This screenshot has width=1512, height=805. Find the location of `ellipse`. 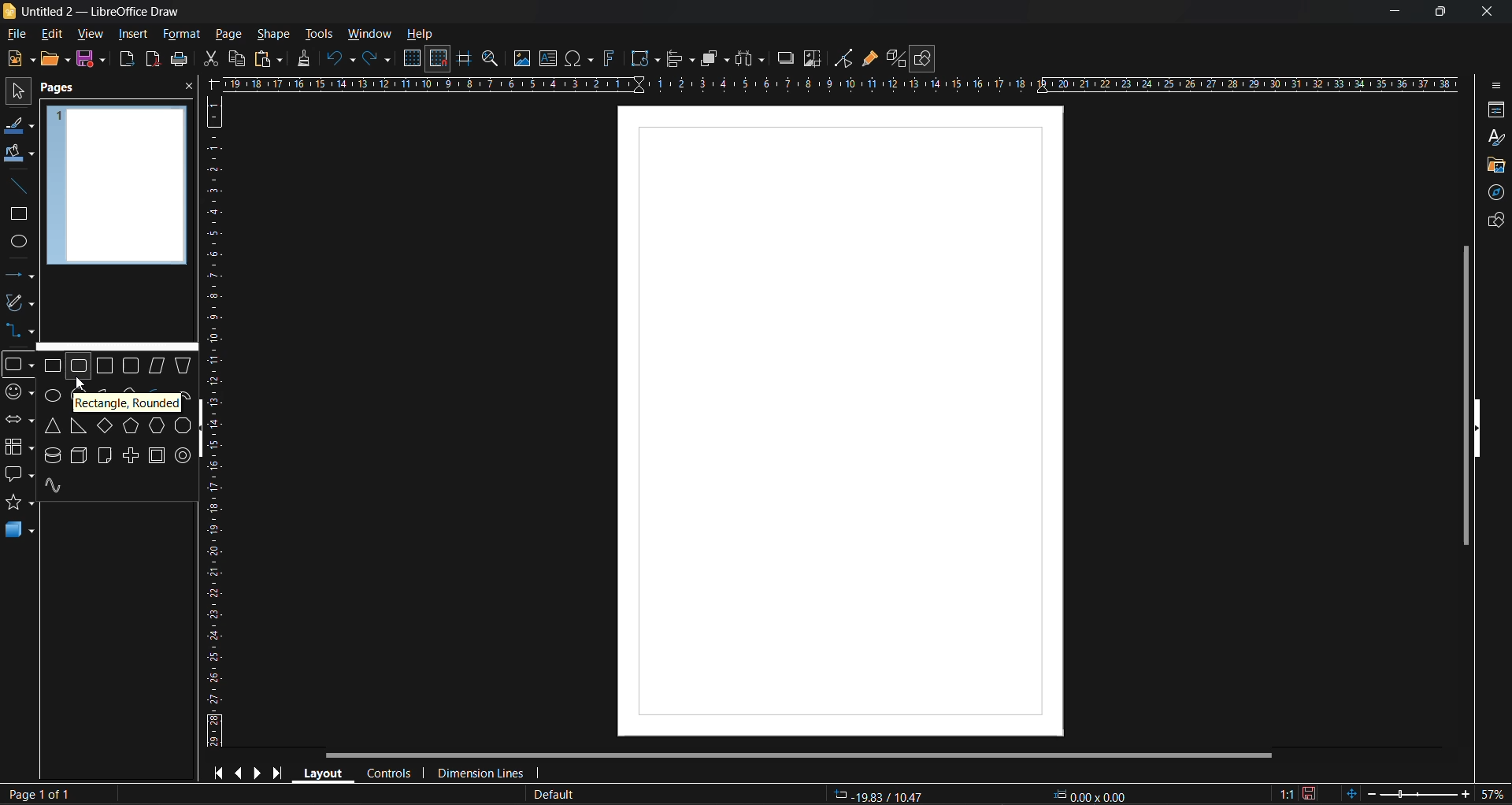

ellipse is located at coordinates (20, 243).